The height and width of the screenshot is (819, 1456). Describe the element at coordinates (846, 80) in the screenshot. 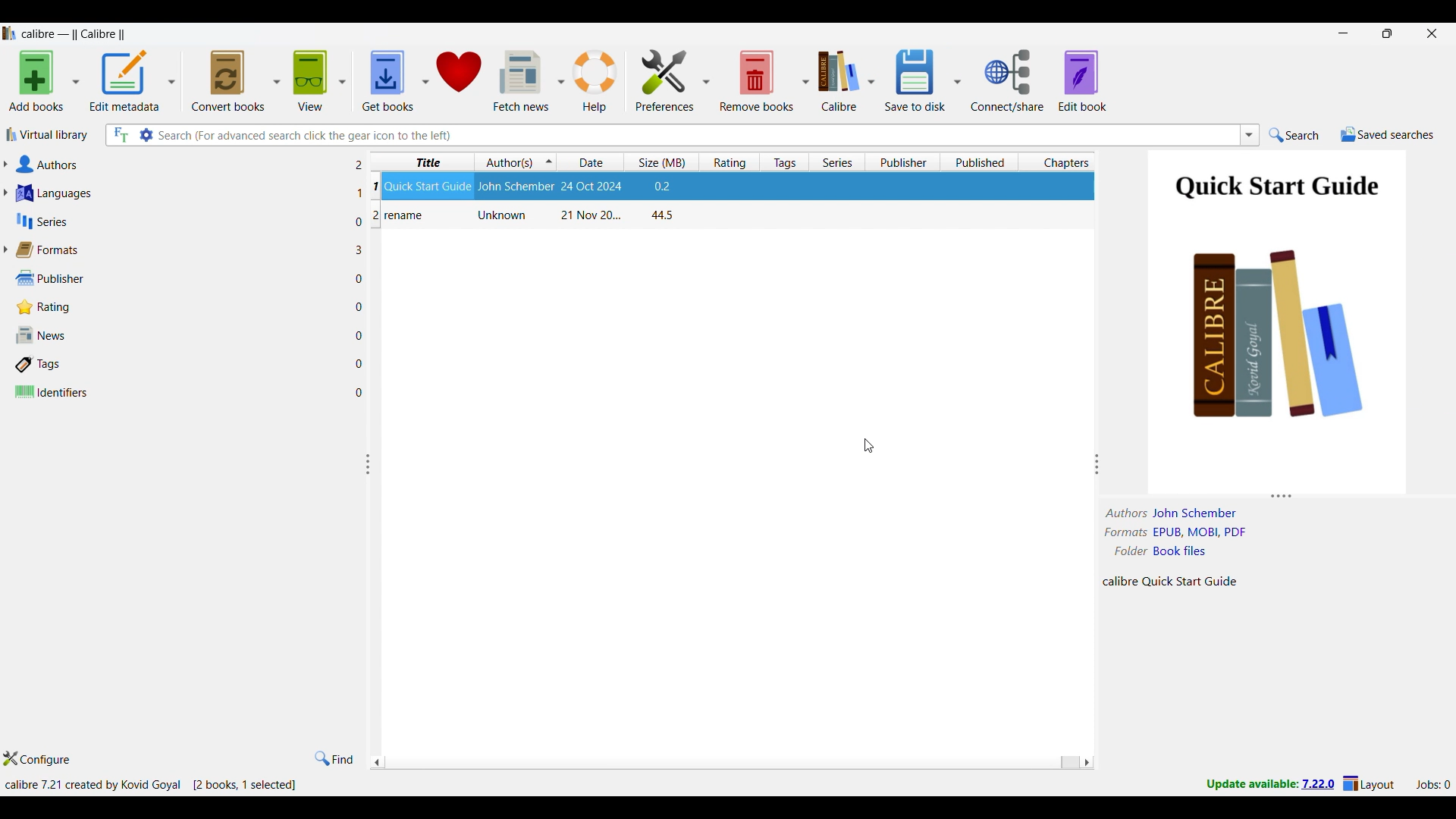

I see `Calibre settings` at that location.